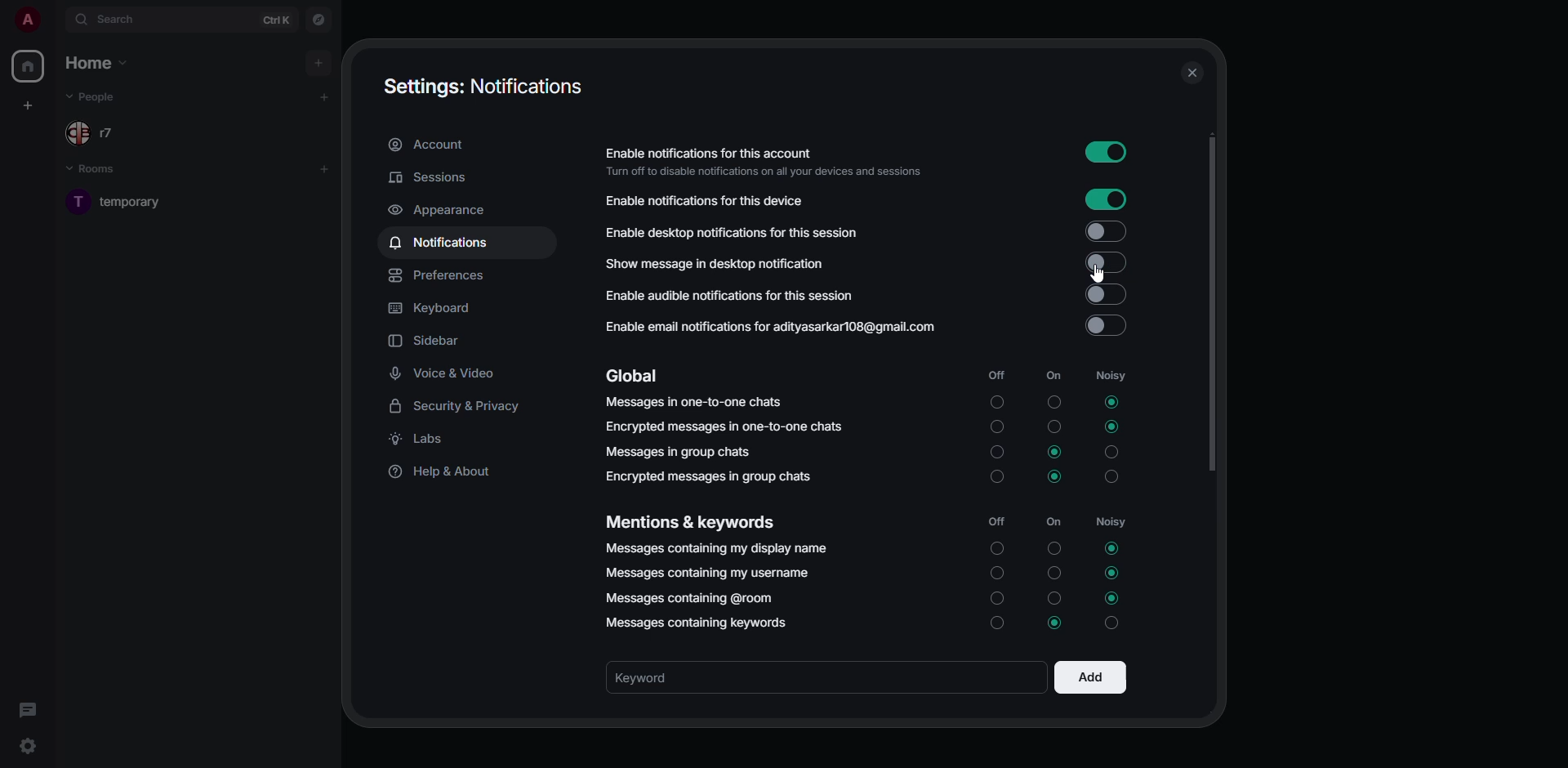 The height and width of the screenshot is (768, 1568). I want to click on messages in one to one chats, so click(693, 401).